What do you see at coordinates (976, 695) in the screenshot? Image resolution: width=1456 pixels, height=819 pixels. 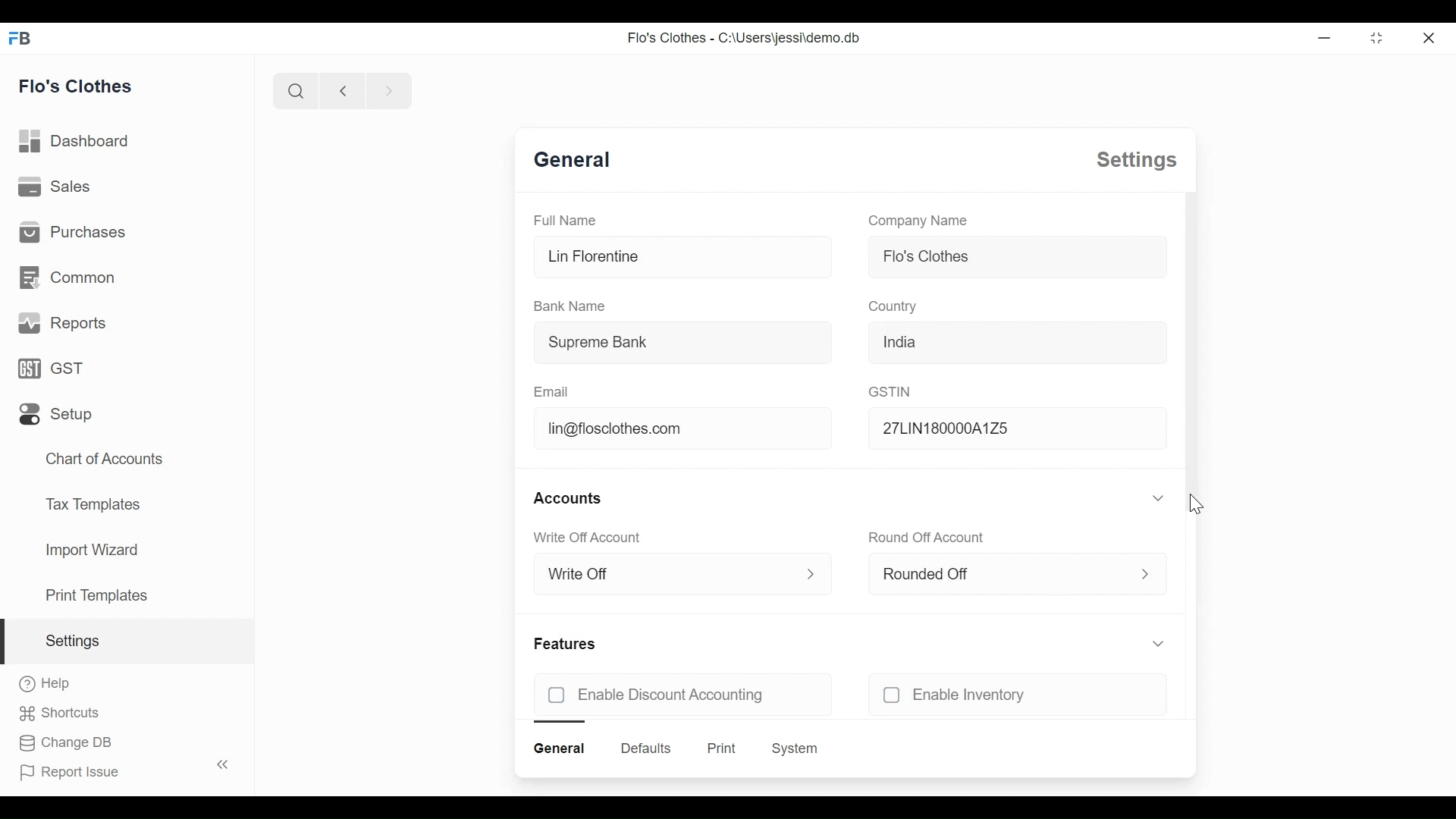 I see `unchecked Enable Inventory` at bounding box center [976, 695].